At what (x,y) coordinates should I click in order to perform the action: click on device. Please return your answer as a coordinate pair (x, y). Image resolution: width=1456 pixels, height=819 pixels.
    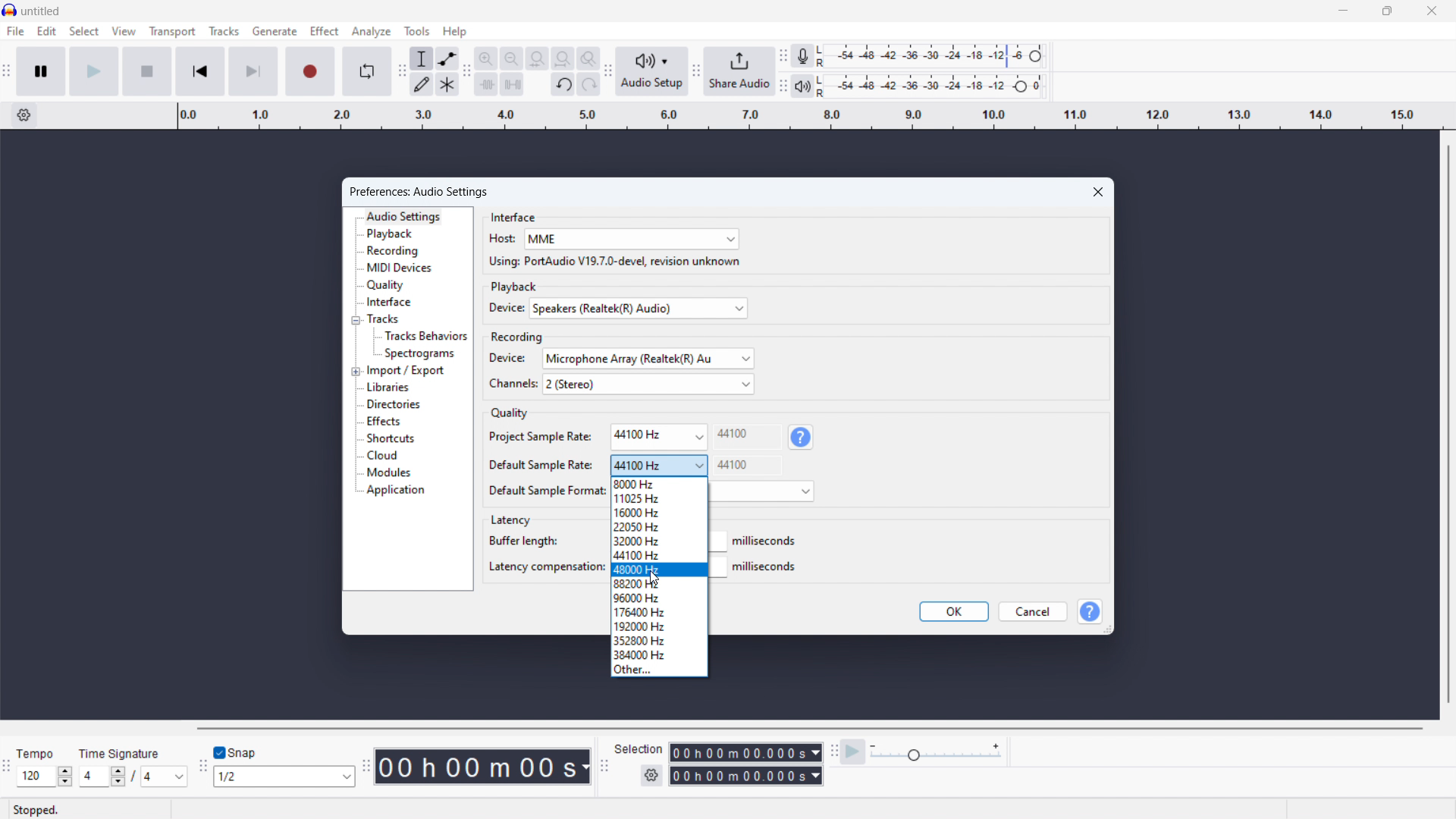
    Looking at the image, I should click on (503, 309).